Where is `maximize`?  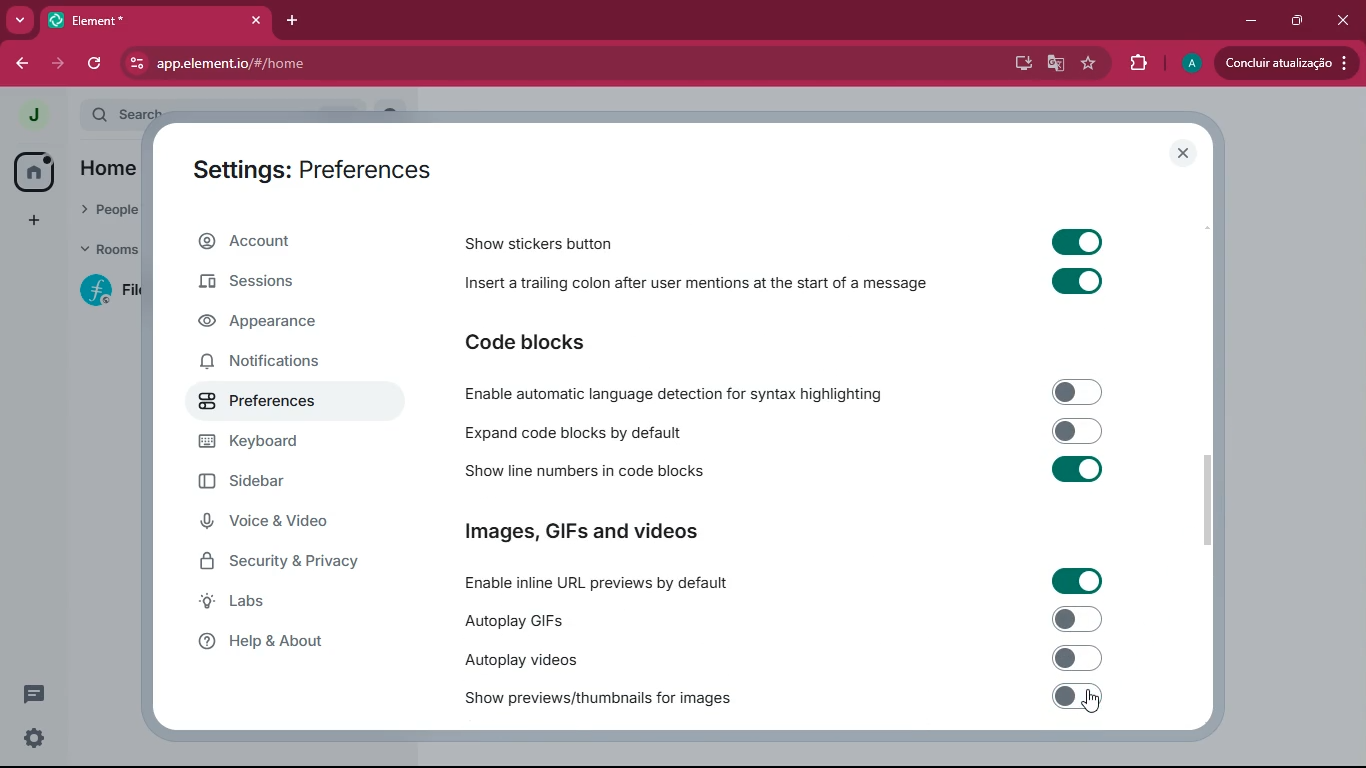
maximize is located at coordinates (1300, 22).